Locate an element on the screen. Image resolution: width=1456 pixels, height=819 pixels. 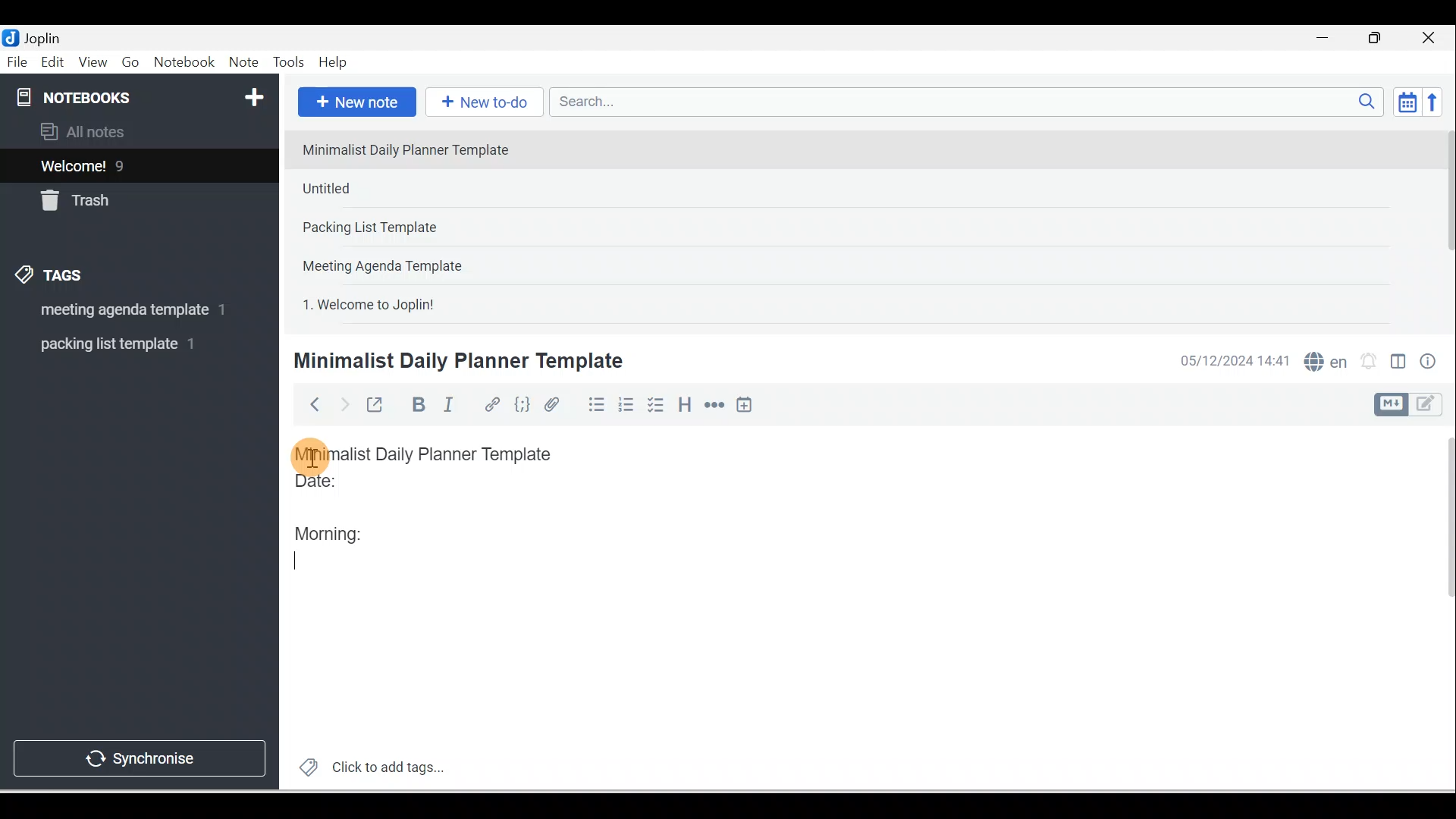
Toggle sort order is located at coordinates (1407, 101).